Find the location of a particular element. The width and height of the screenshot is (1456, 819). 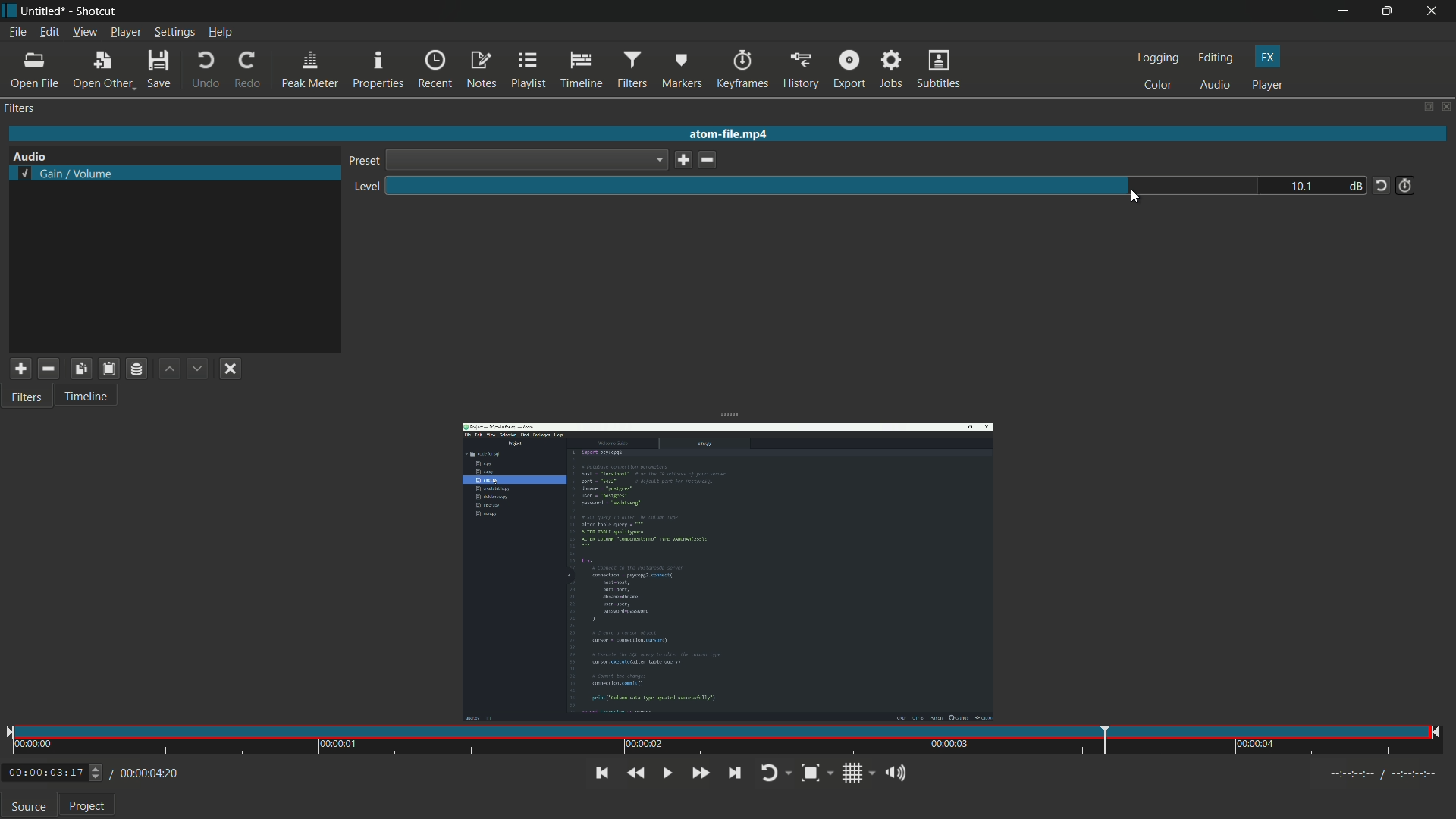

00:00:03:17 (Current Time) is located at coordinates (55, 773).